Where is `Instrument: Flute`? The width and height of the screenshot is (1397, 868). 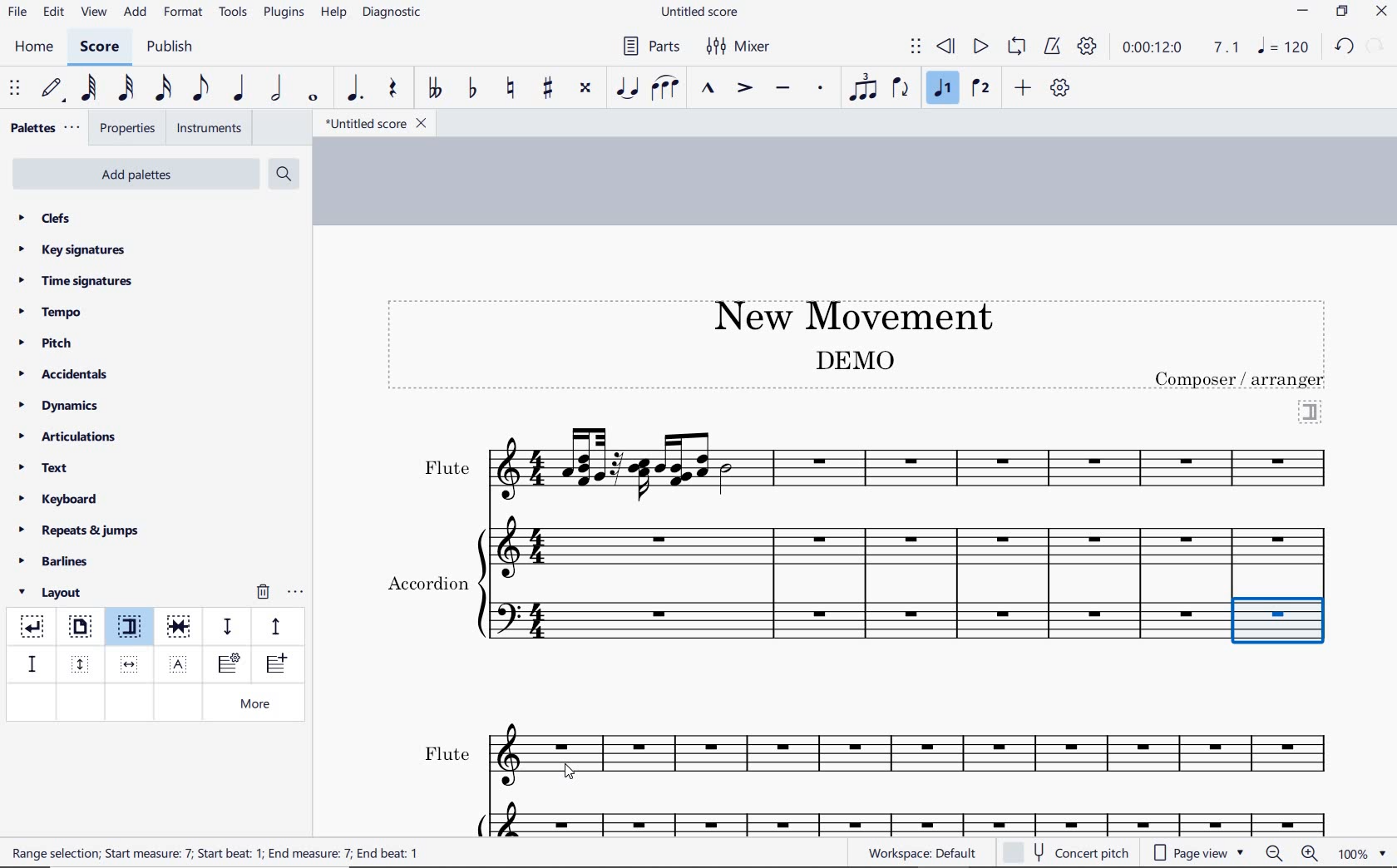
Instrument: Flute is located at coordinates (914, 462).